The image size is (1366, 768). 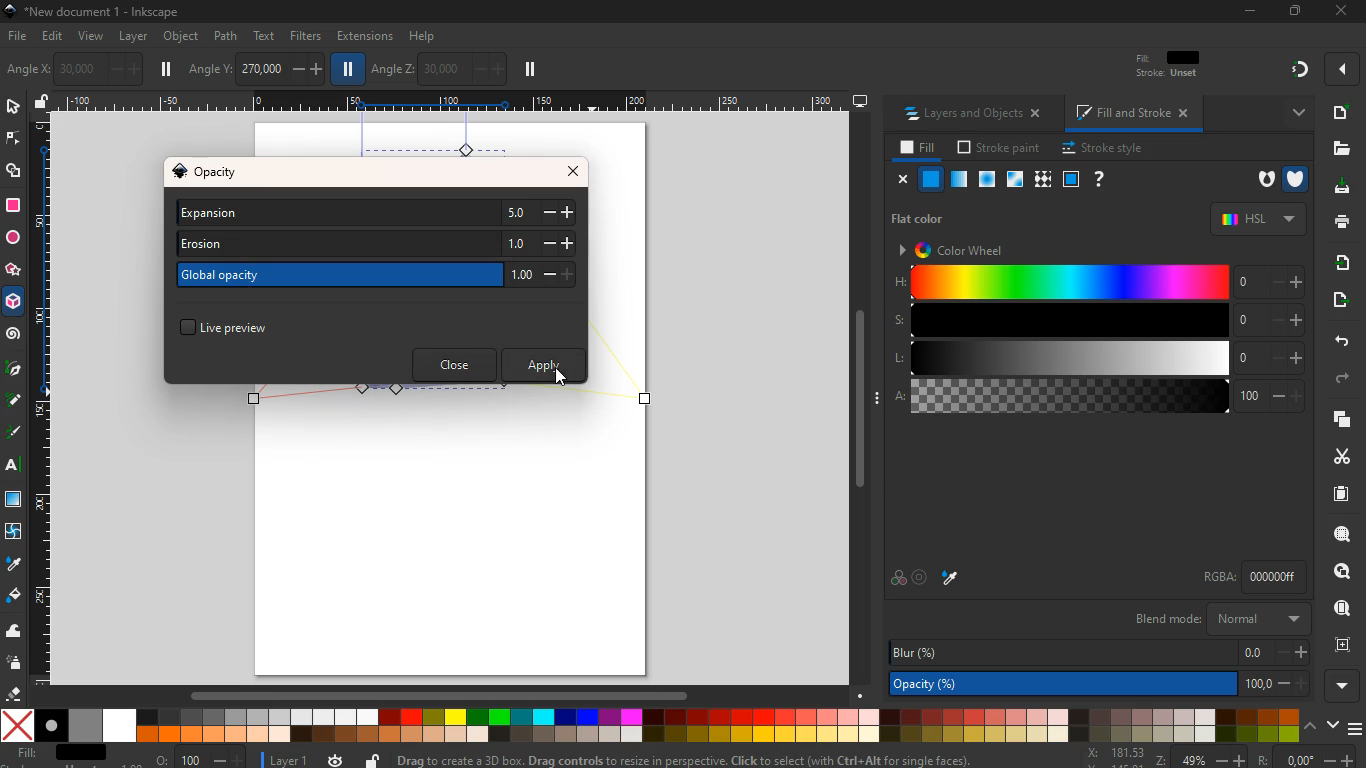 What do you see at coordinates (1354, 724) in the screenshot?
I see `menu` at bounding box center [1354, 724].